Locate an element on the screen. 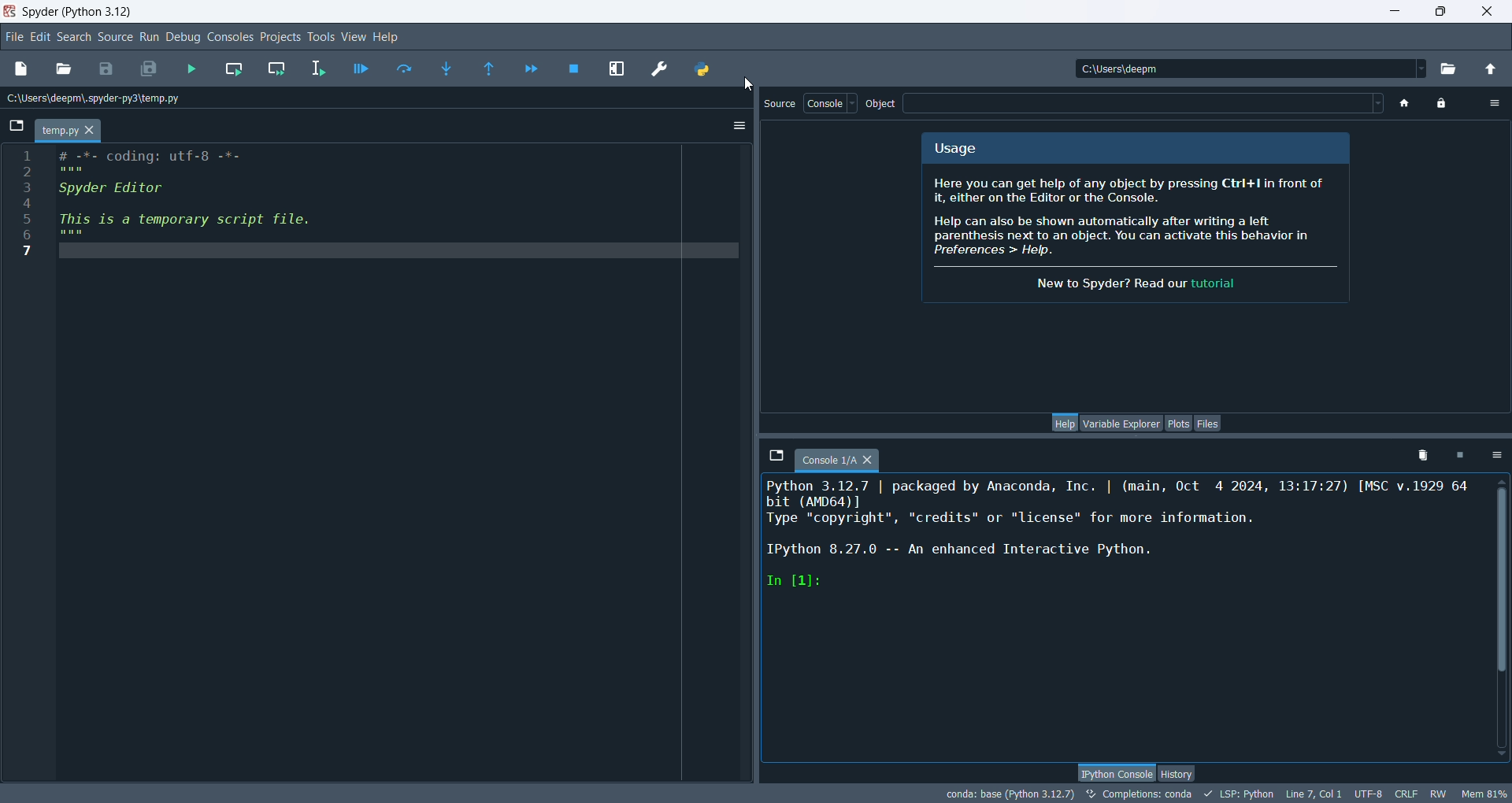  browse tabs is located at coordinates (15, 124).